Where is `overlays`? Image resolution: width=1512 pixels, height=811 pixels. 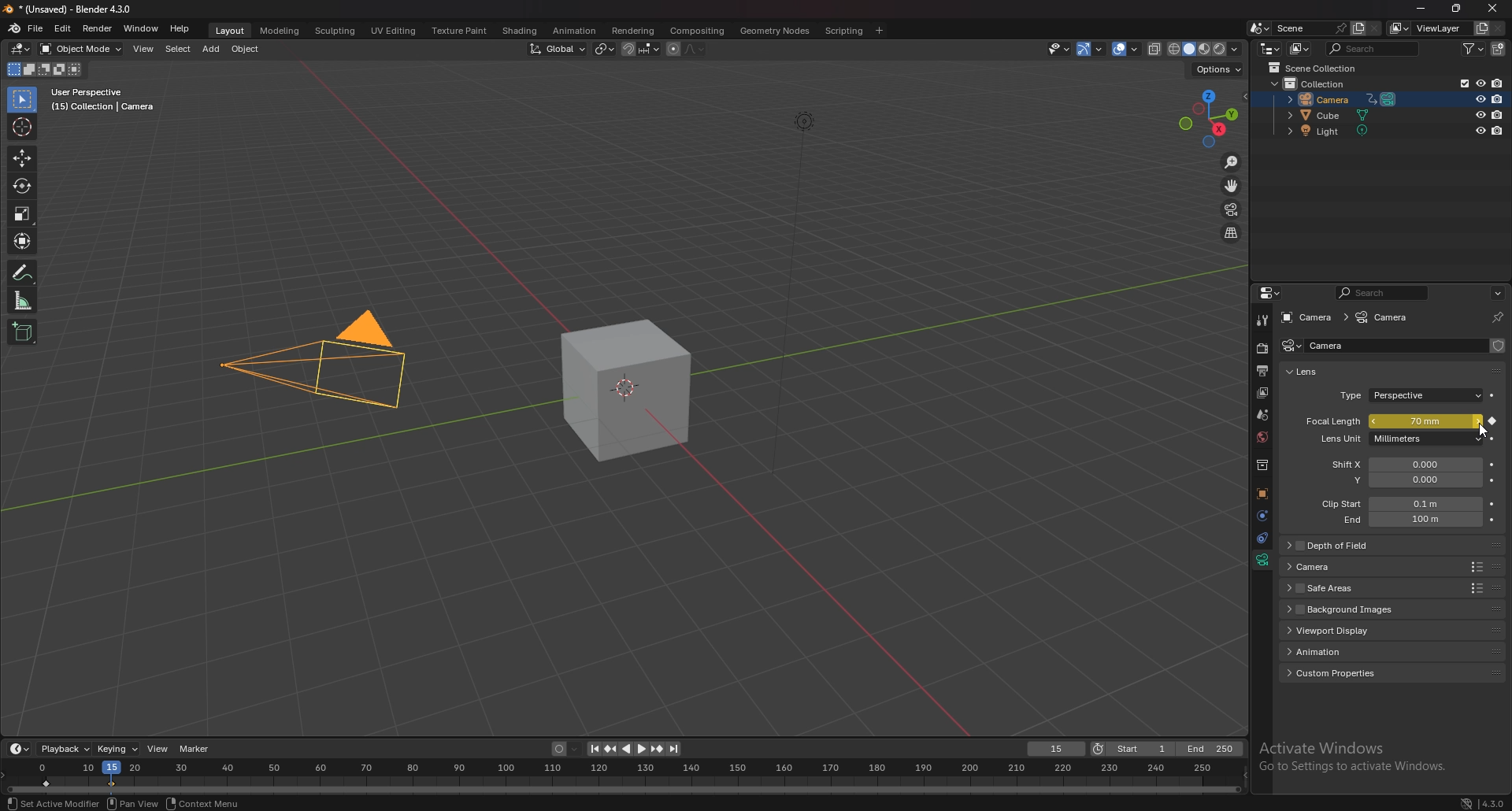 overlays is located at coordinates (1127, 50).